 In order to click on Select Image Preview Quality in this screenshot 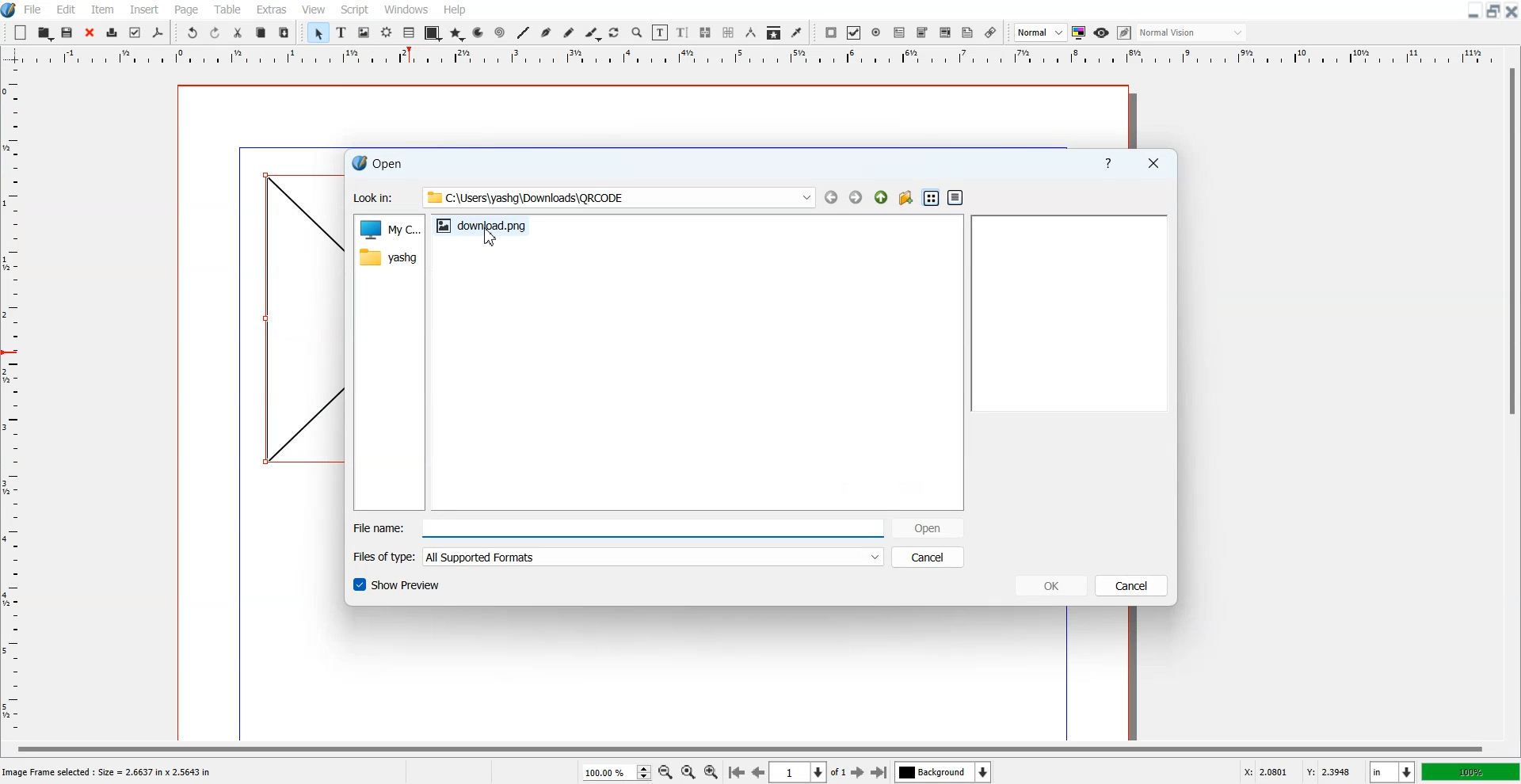, I will do `click(1040, 32)`.